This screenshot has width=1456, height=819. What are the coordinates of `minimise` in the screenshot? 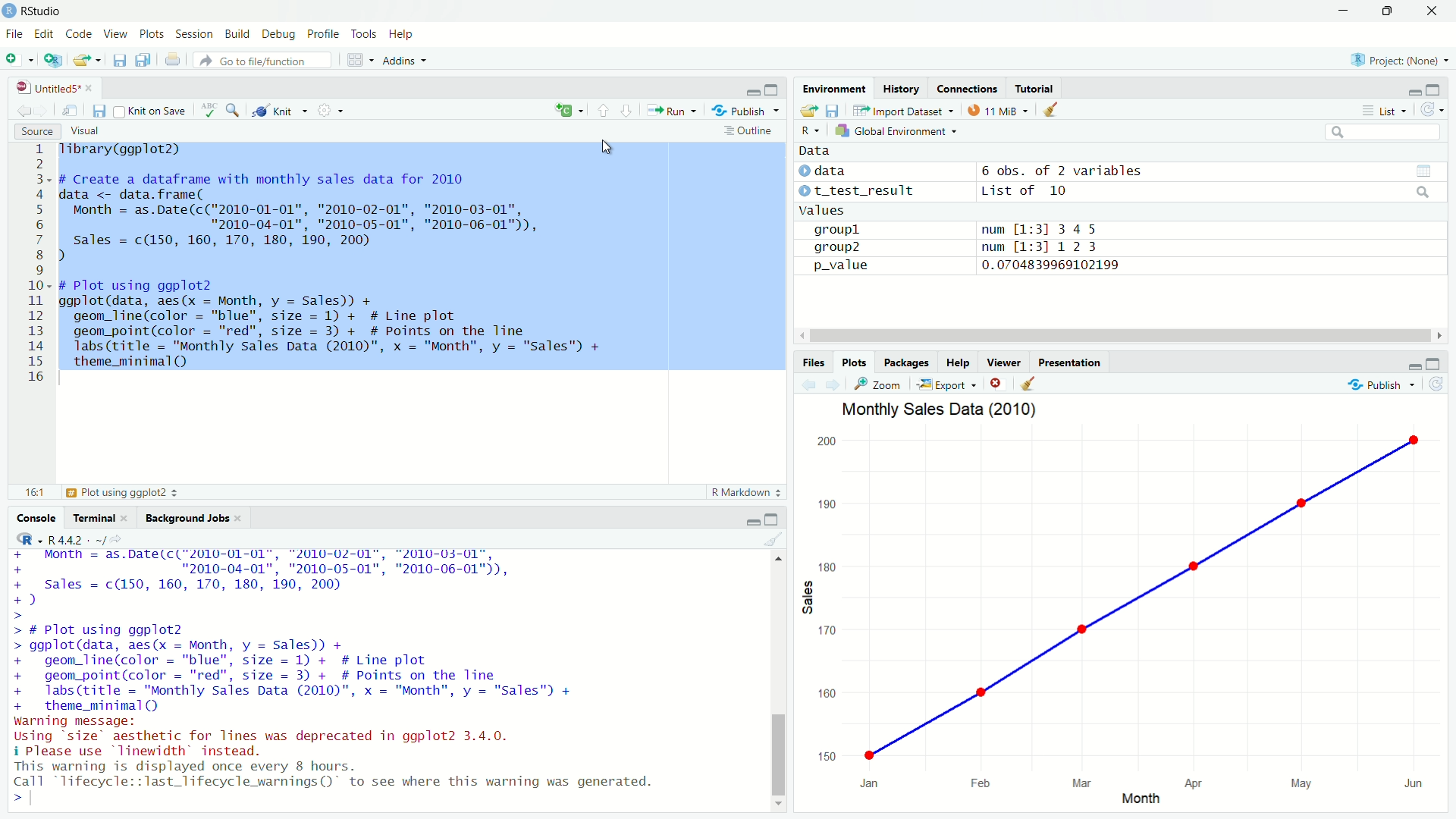 It's located at (752, 522).